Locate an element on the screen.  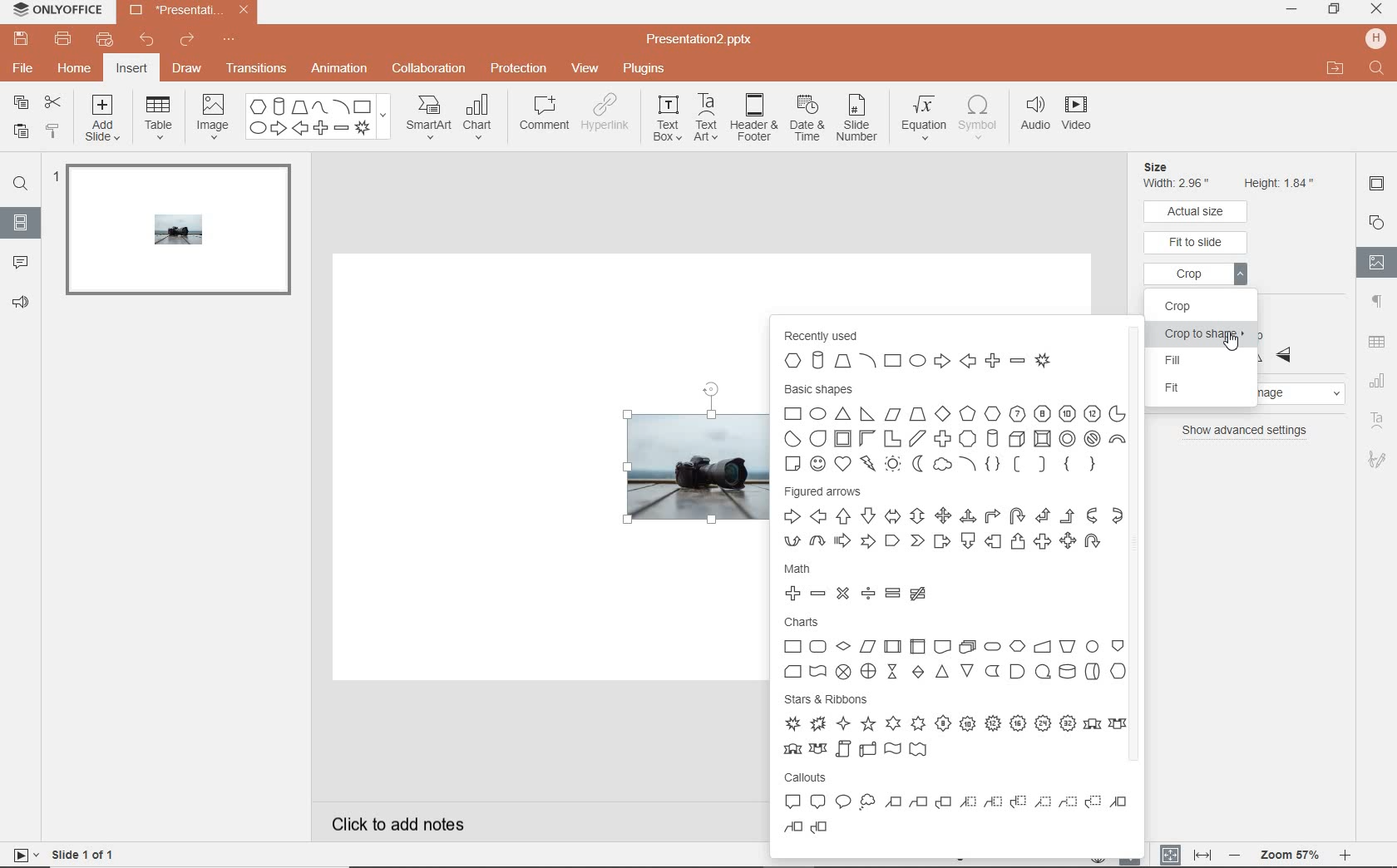
animation is located at coordinates (340, 69).